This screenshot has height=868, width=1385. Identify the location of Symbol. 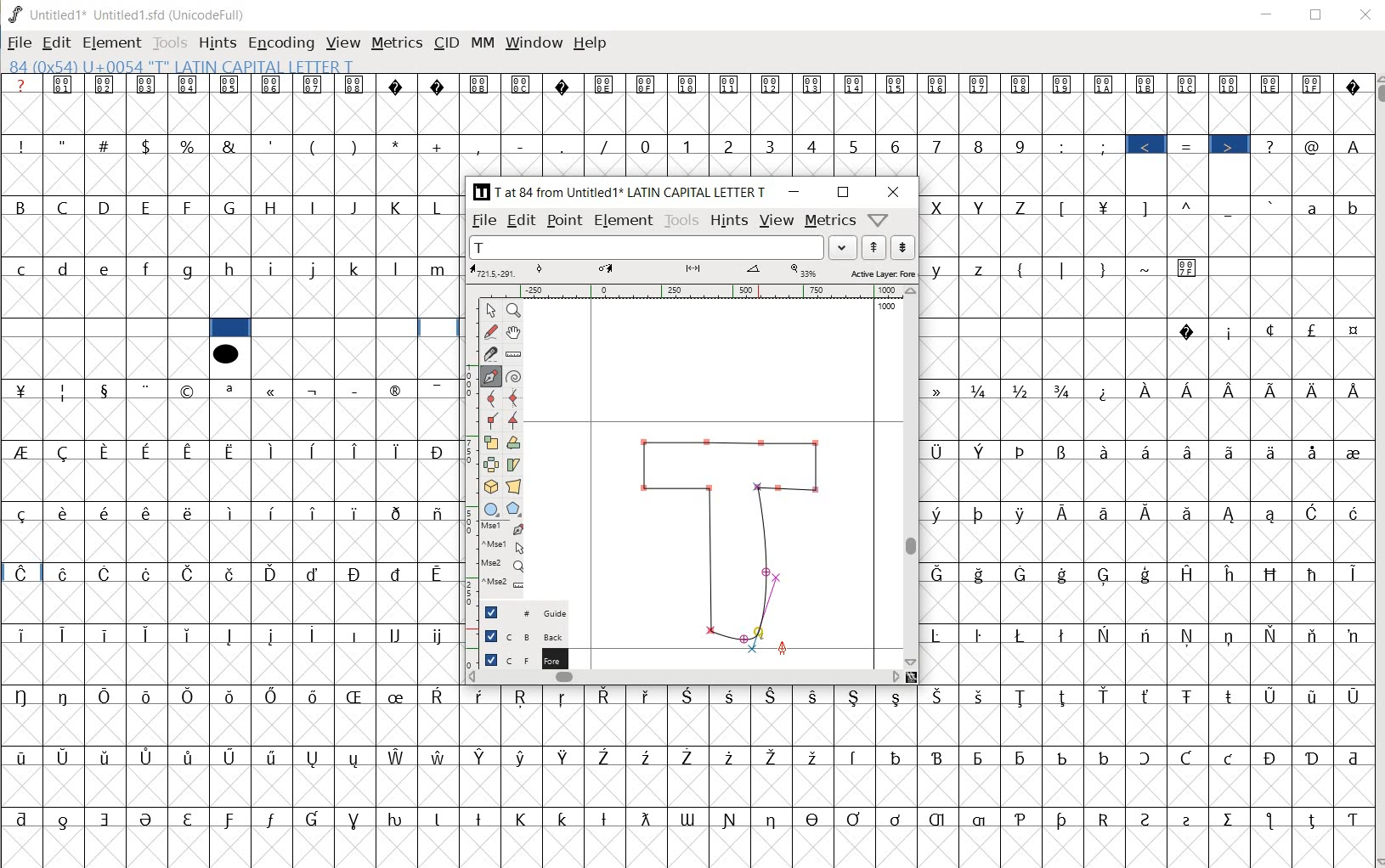
(1063, 391).